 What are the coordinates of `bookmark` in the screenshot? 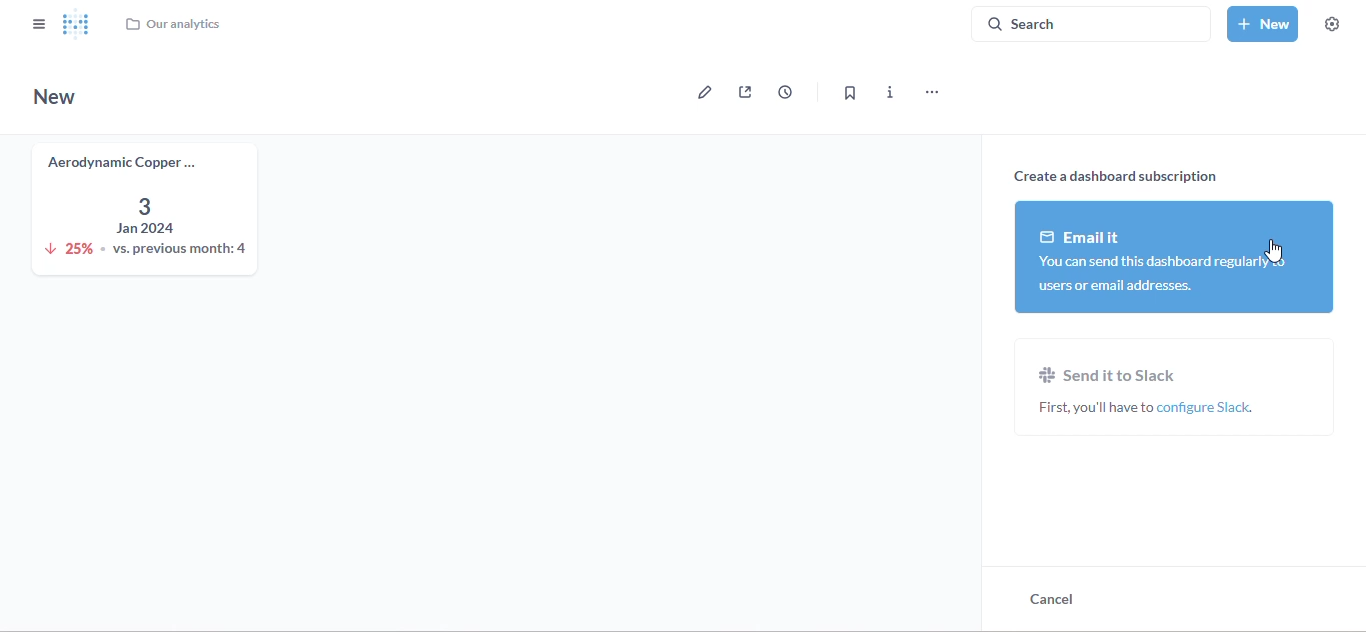 It's located at (849, 93).